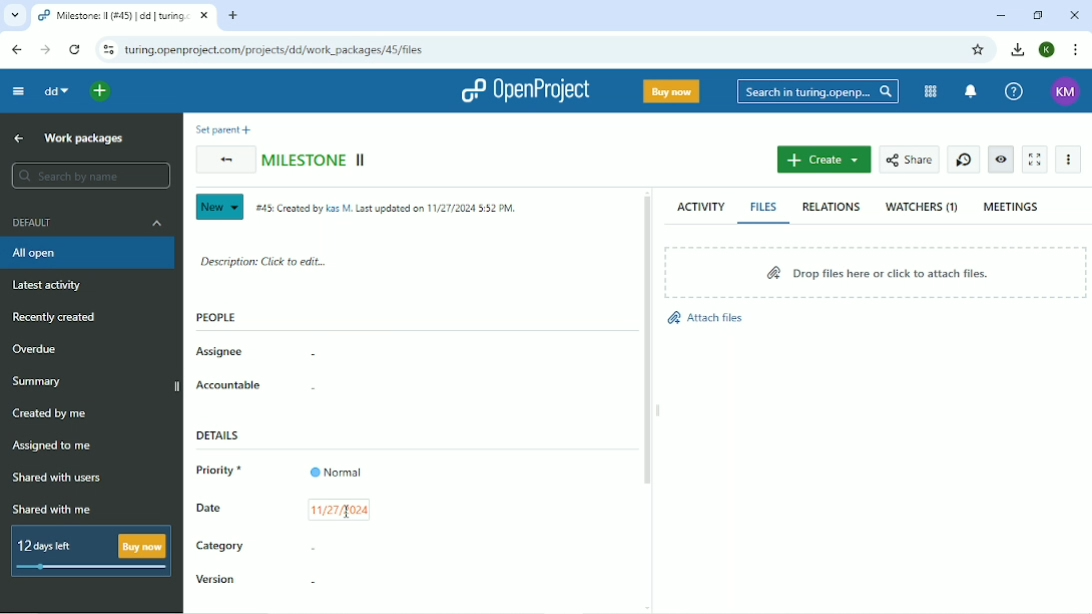 The width and height of the screenshot is (1092, 614). Describe the element at coordinates (17, 92) in the screenshot. I see `Collapse project menu` at that location.